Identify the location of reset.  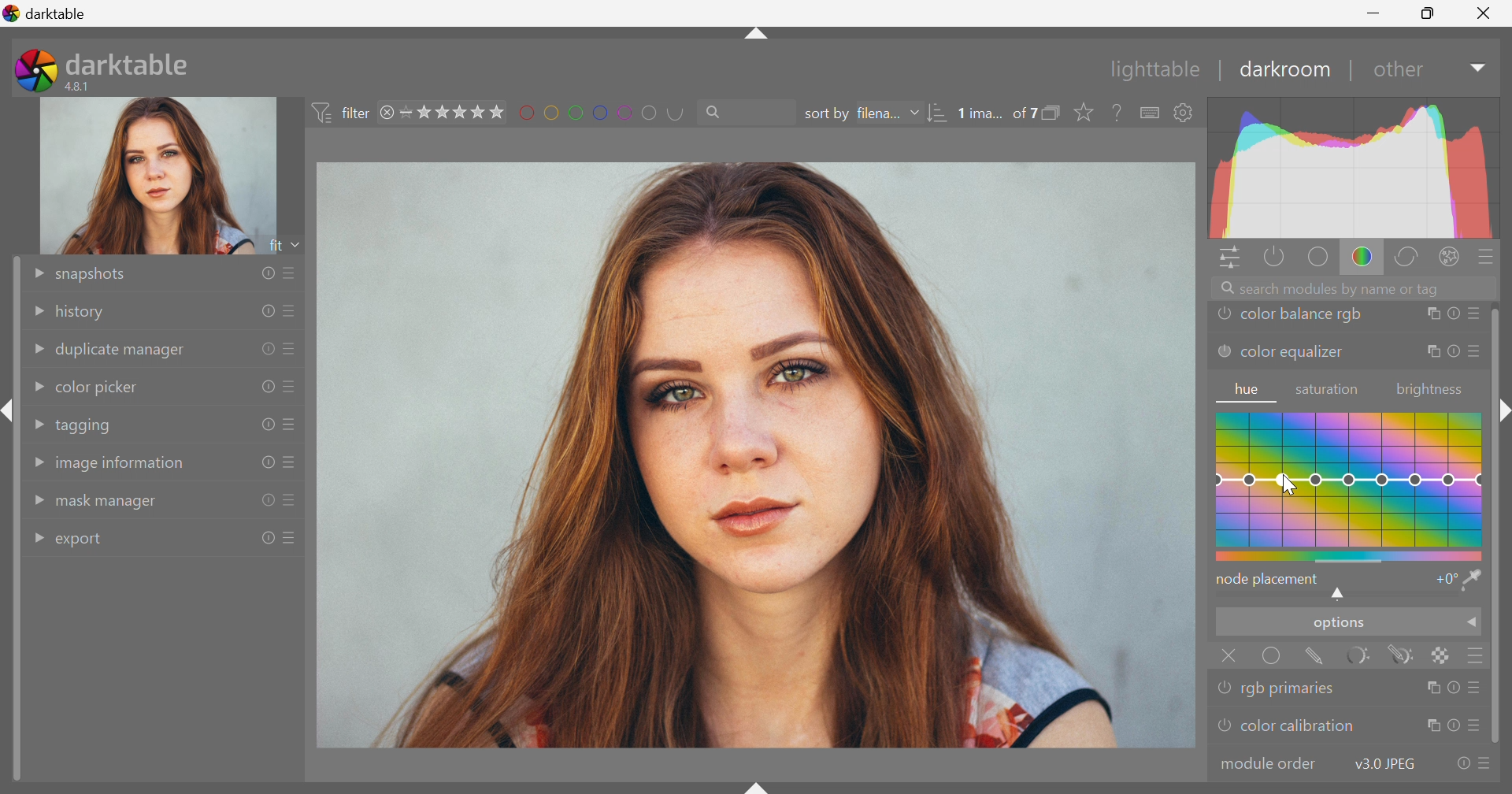
(269, 274).